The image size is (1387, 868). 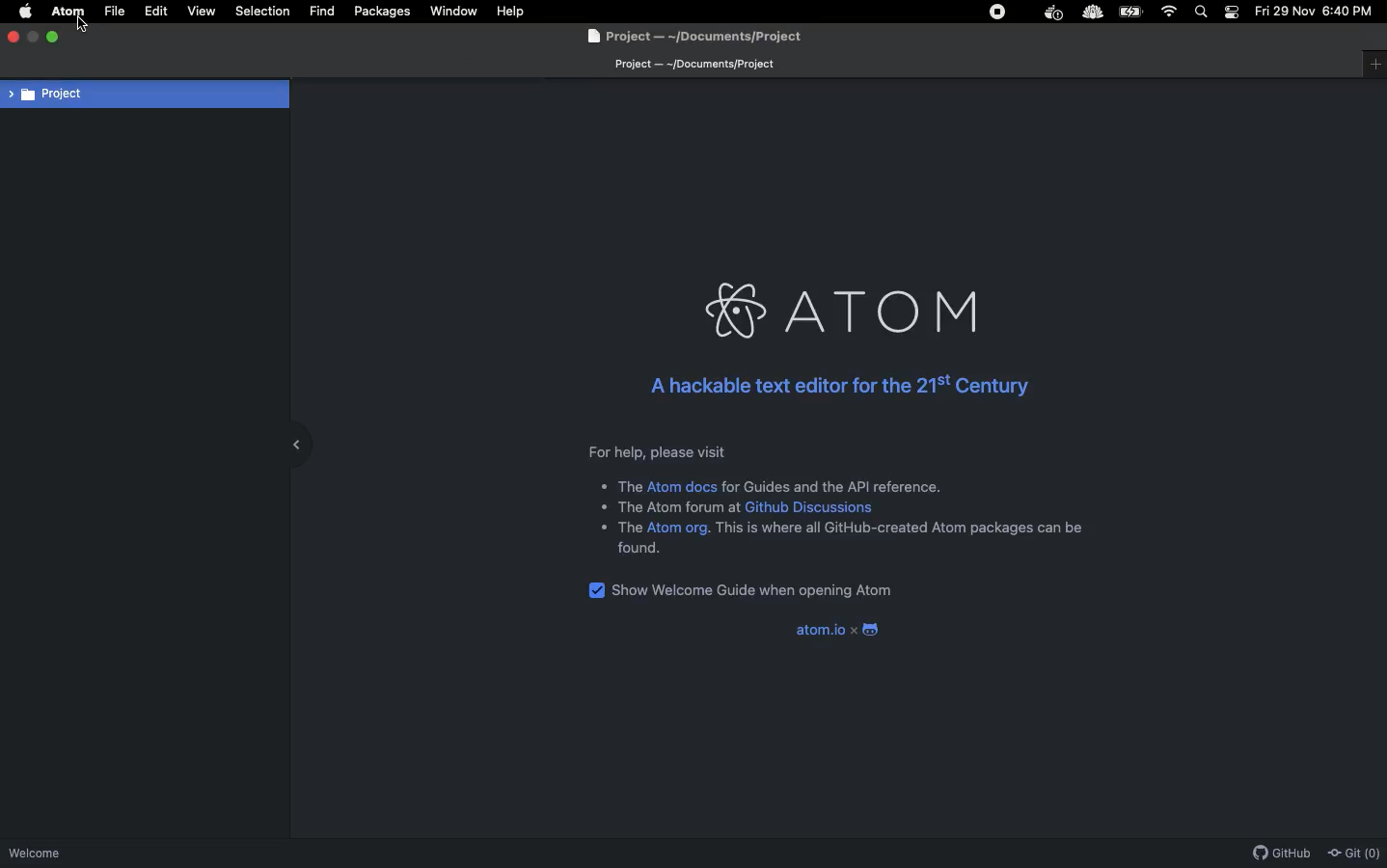 I want to click on Window, so click(x=457, y=12).